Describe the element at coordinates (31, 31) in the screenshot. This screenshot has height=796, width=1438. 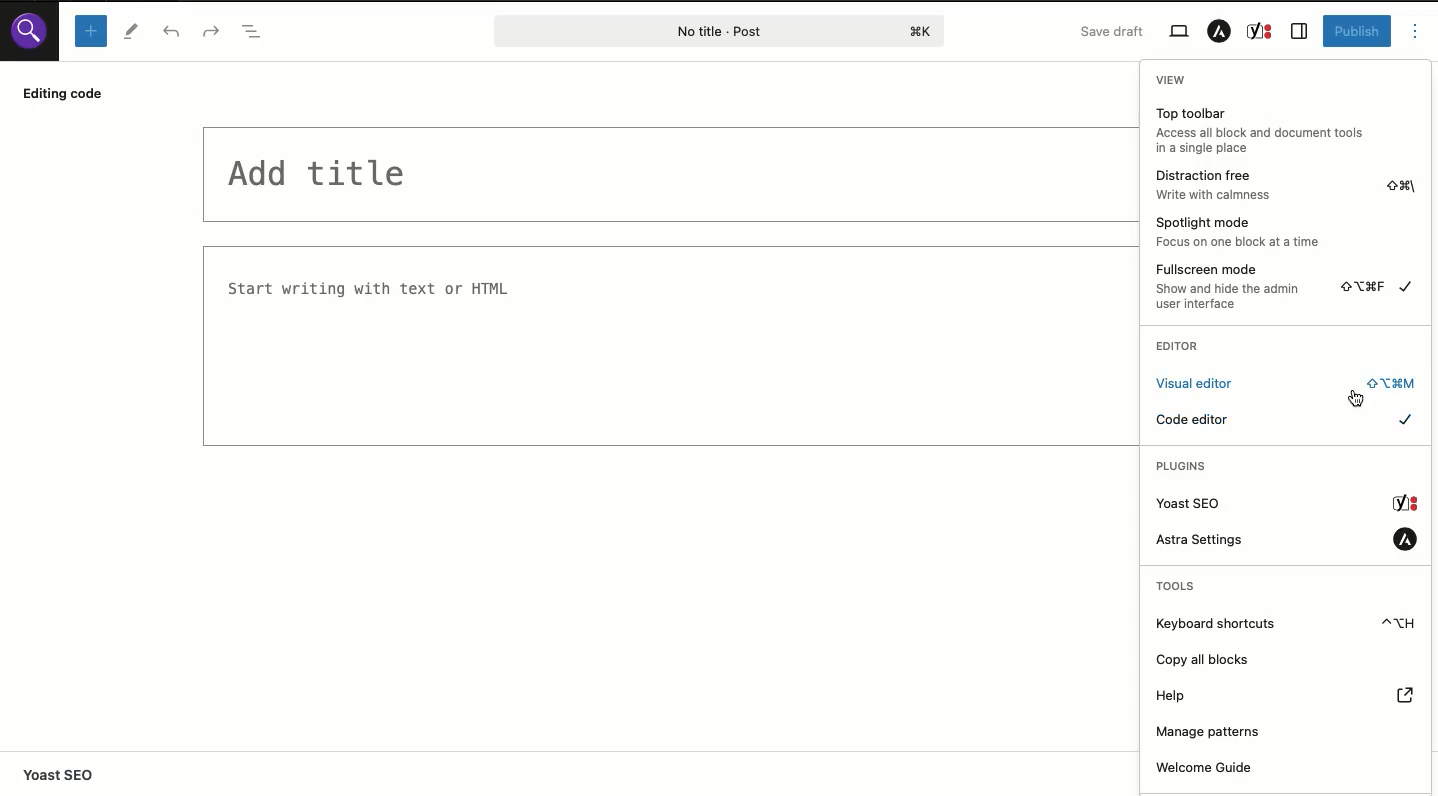
I see `WordPress site logo` at that location.